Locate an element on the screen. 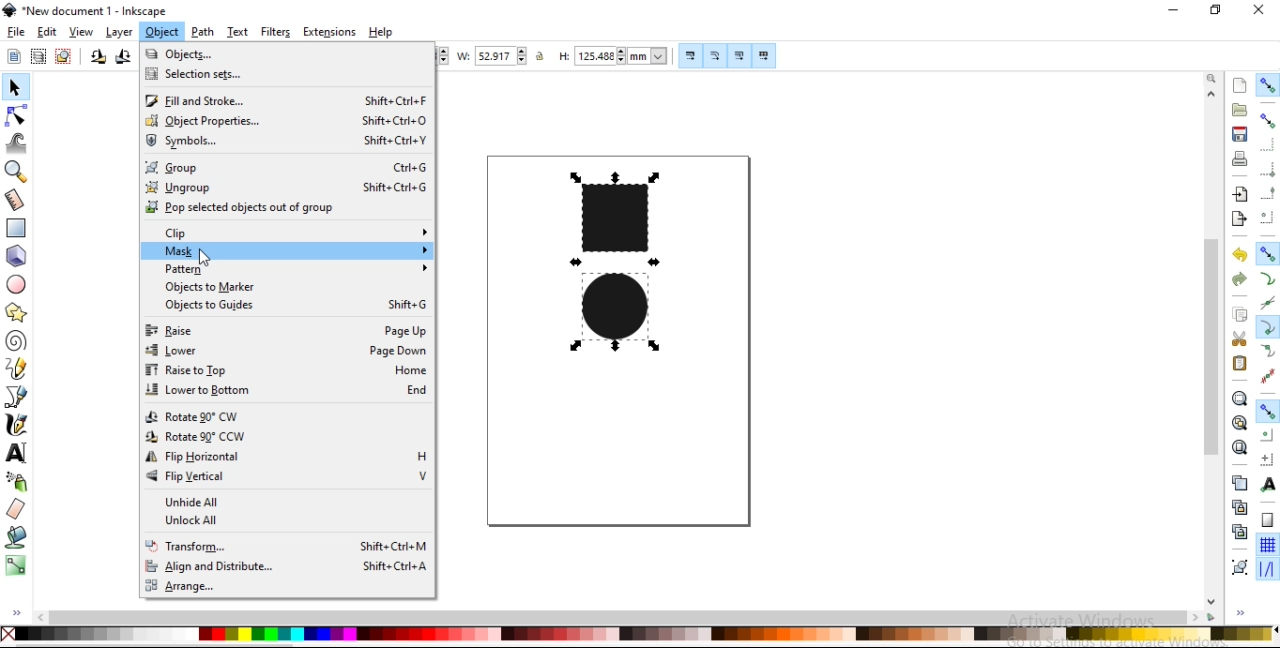  snap other points is located at coordinates (1268, 411).